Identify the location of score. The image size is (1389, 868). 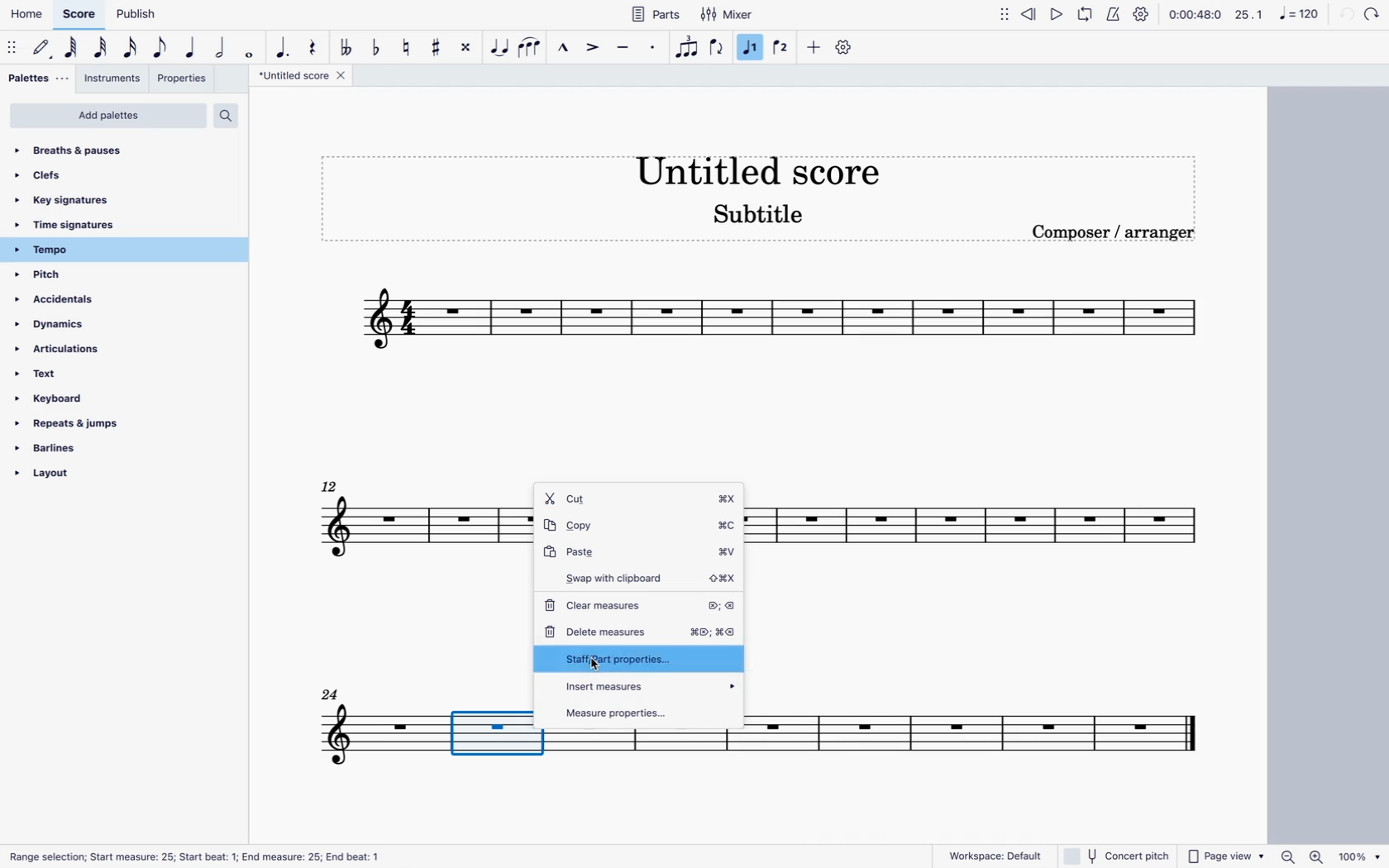
(410, 530).